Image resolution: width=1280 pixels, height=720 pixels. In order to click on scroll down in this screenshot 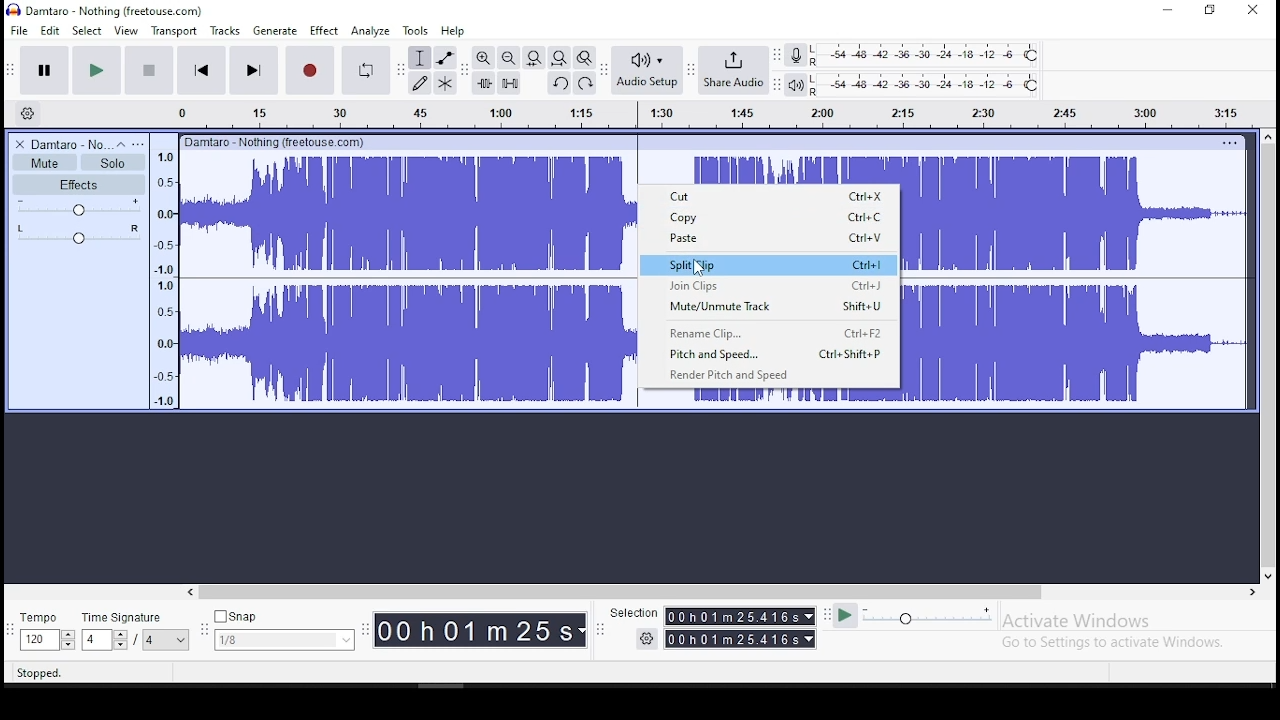, I will do `click(1267, 574)`.